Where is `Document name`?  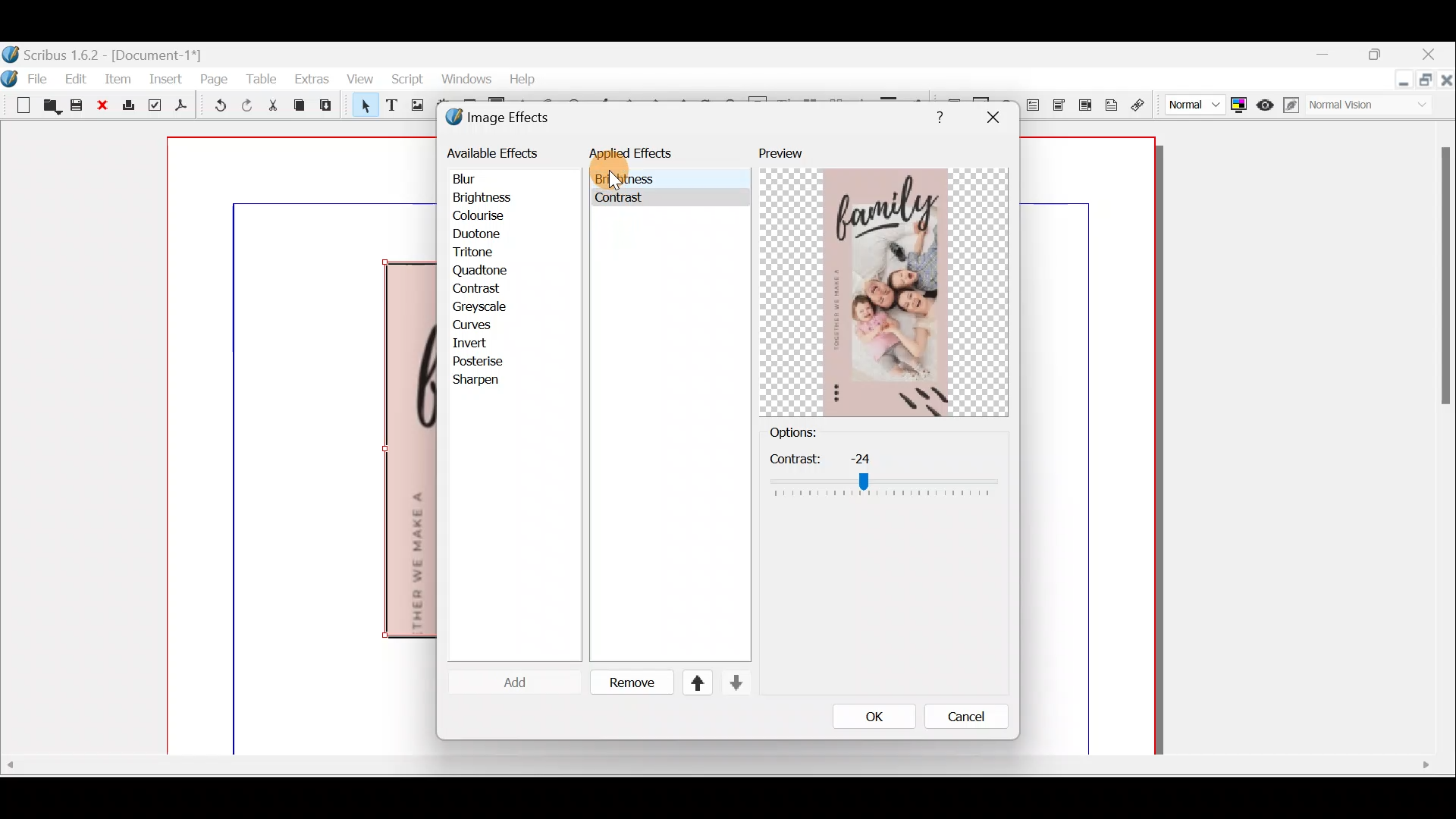
Document name is located at coordinates (104, 53).